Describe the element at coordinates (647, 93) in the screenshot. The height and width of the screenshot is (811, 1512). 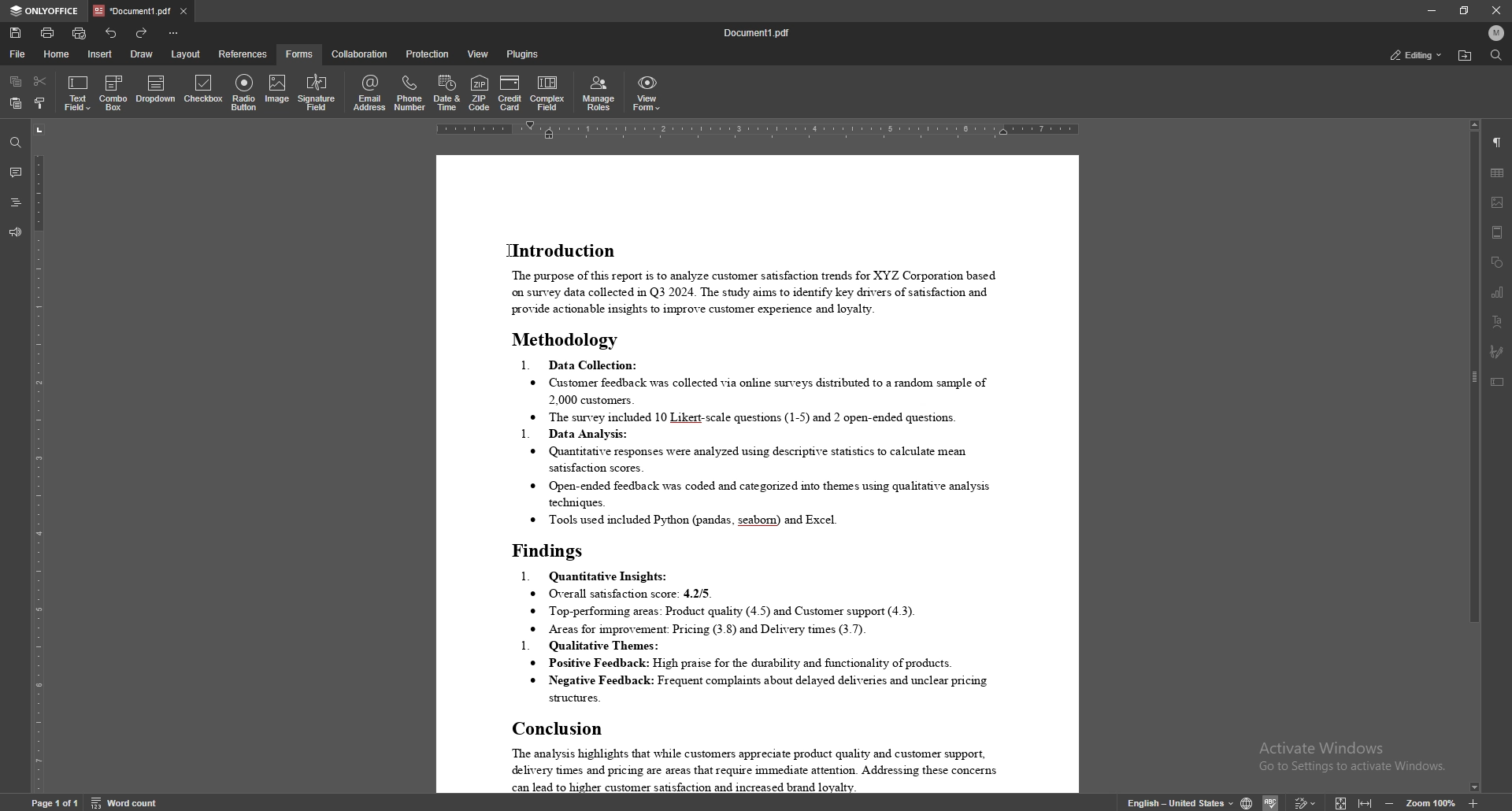
I see `view form` at that location.